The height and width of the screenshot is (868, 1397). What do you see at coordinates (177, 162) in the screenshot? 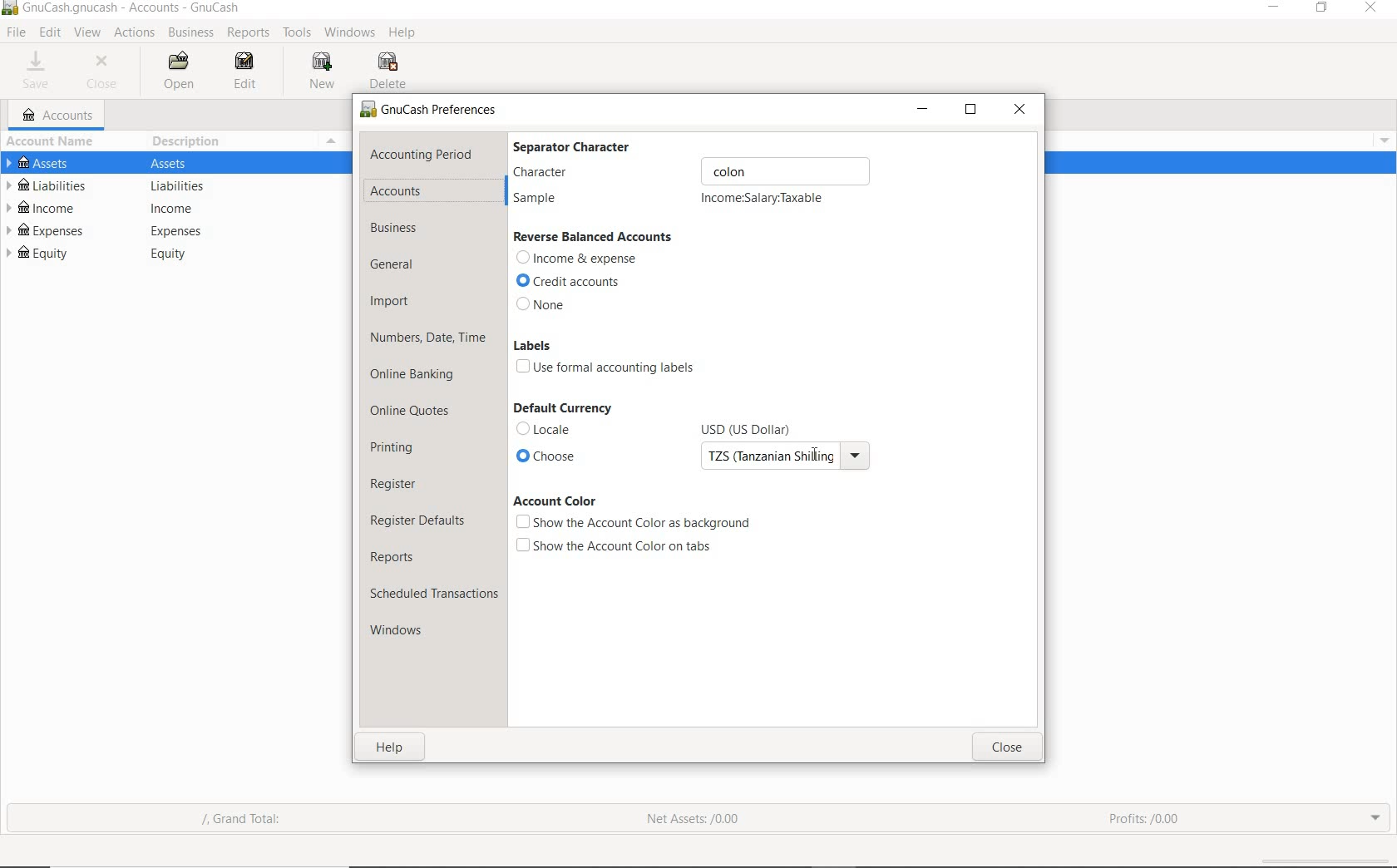
I see `` at bounding box center [177, 162].